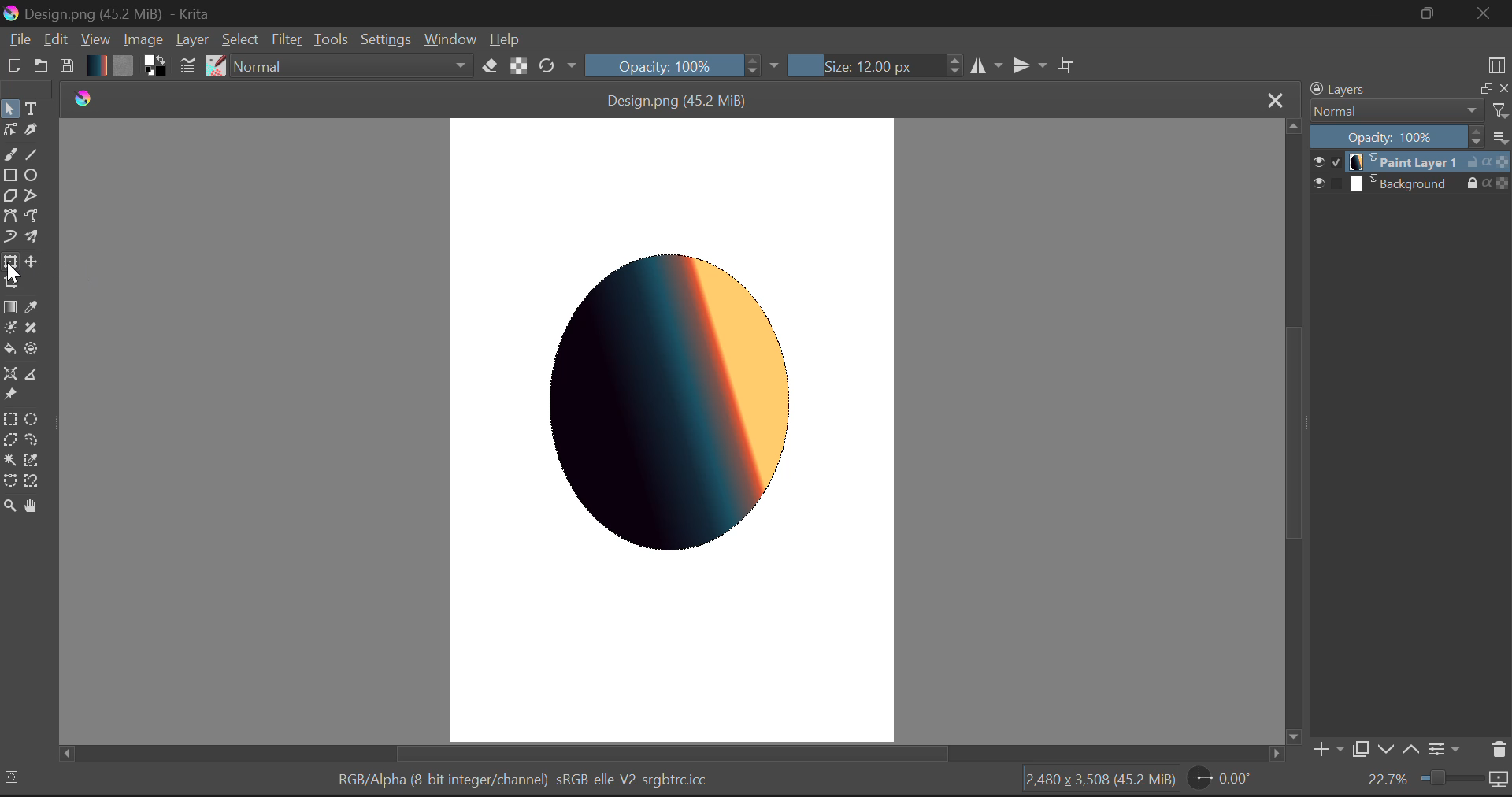 The image size is (1512, 797). I want to click on Settings, so click(384, 39).